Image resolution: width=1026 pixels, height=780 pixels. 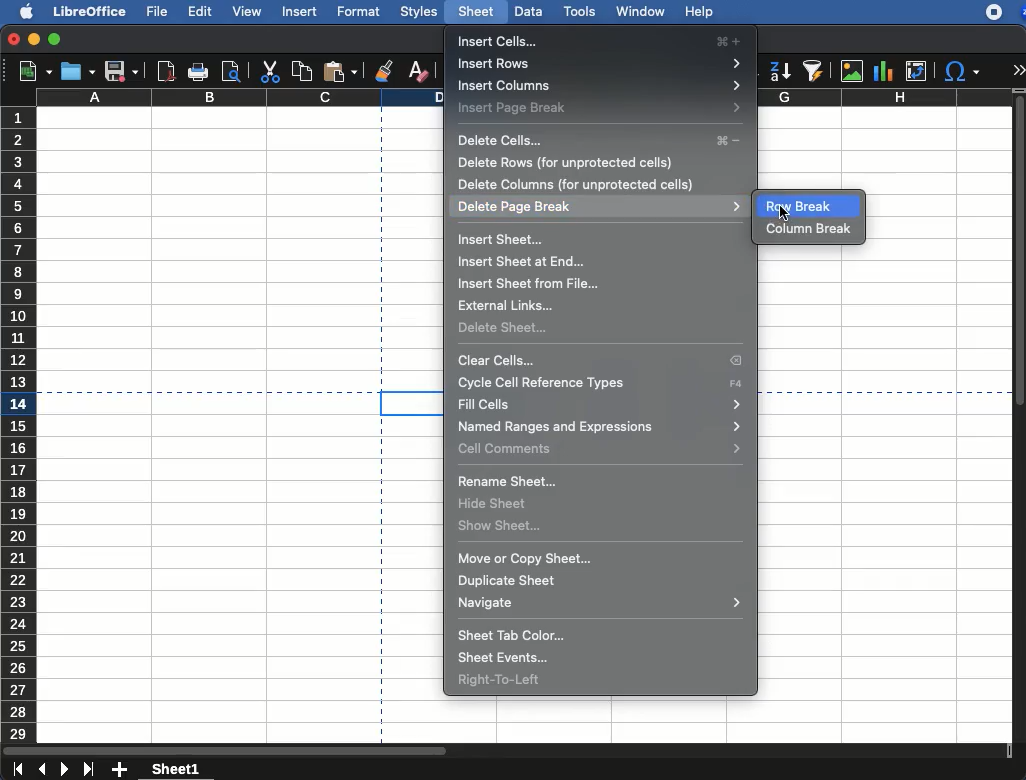 I want to click on print, so click(x=199, y=73).